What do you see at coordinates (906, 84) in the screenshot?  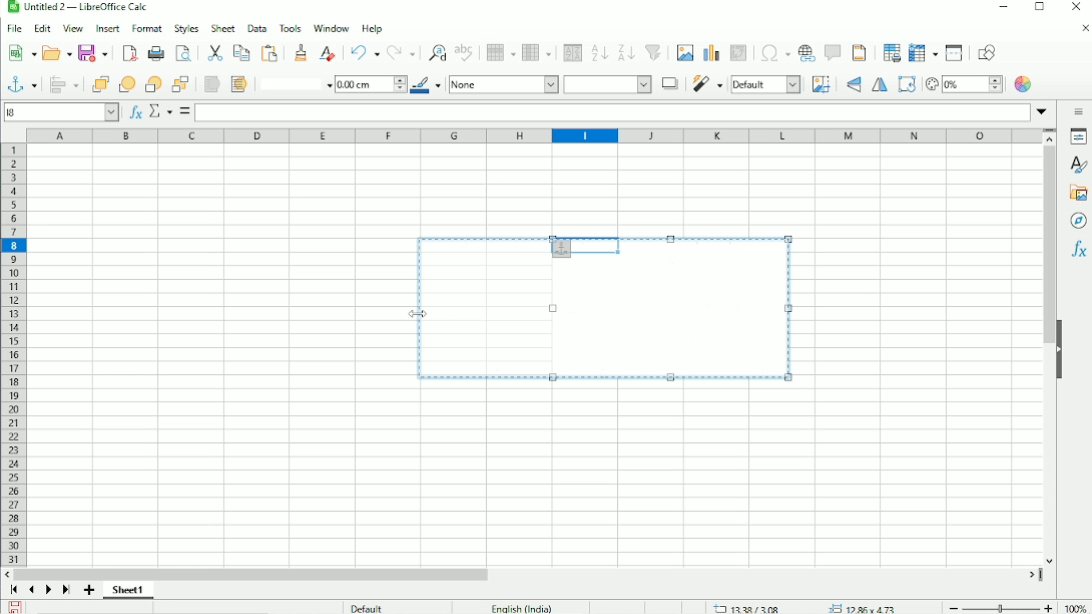 I see `Rotate` at bounding box center [906, 84].